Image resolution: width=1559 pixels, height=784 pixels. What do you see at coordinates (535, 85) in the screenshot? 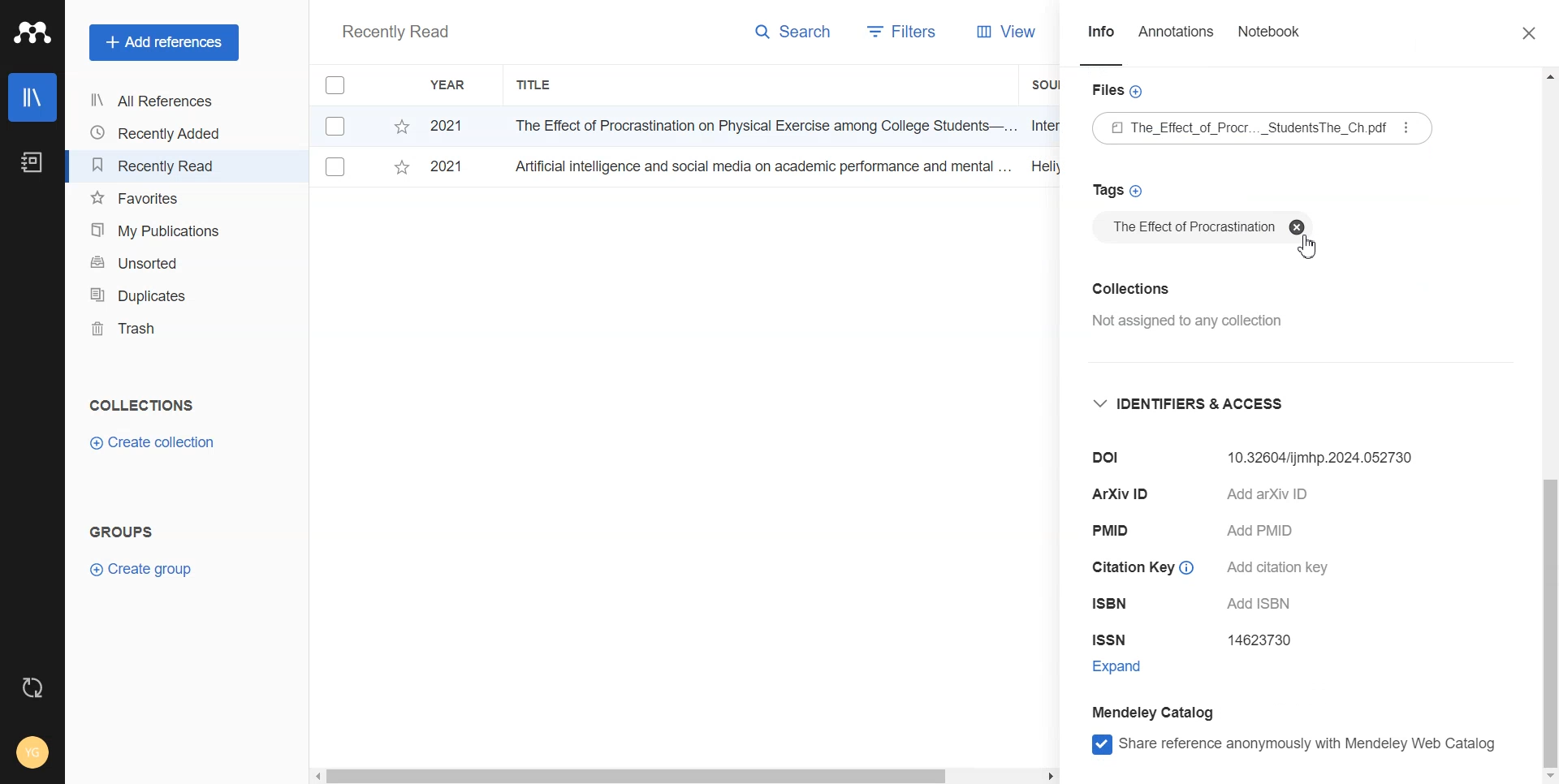
I see `Title` at bounding box center [535, 85].